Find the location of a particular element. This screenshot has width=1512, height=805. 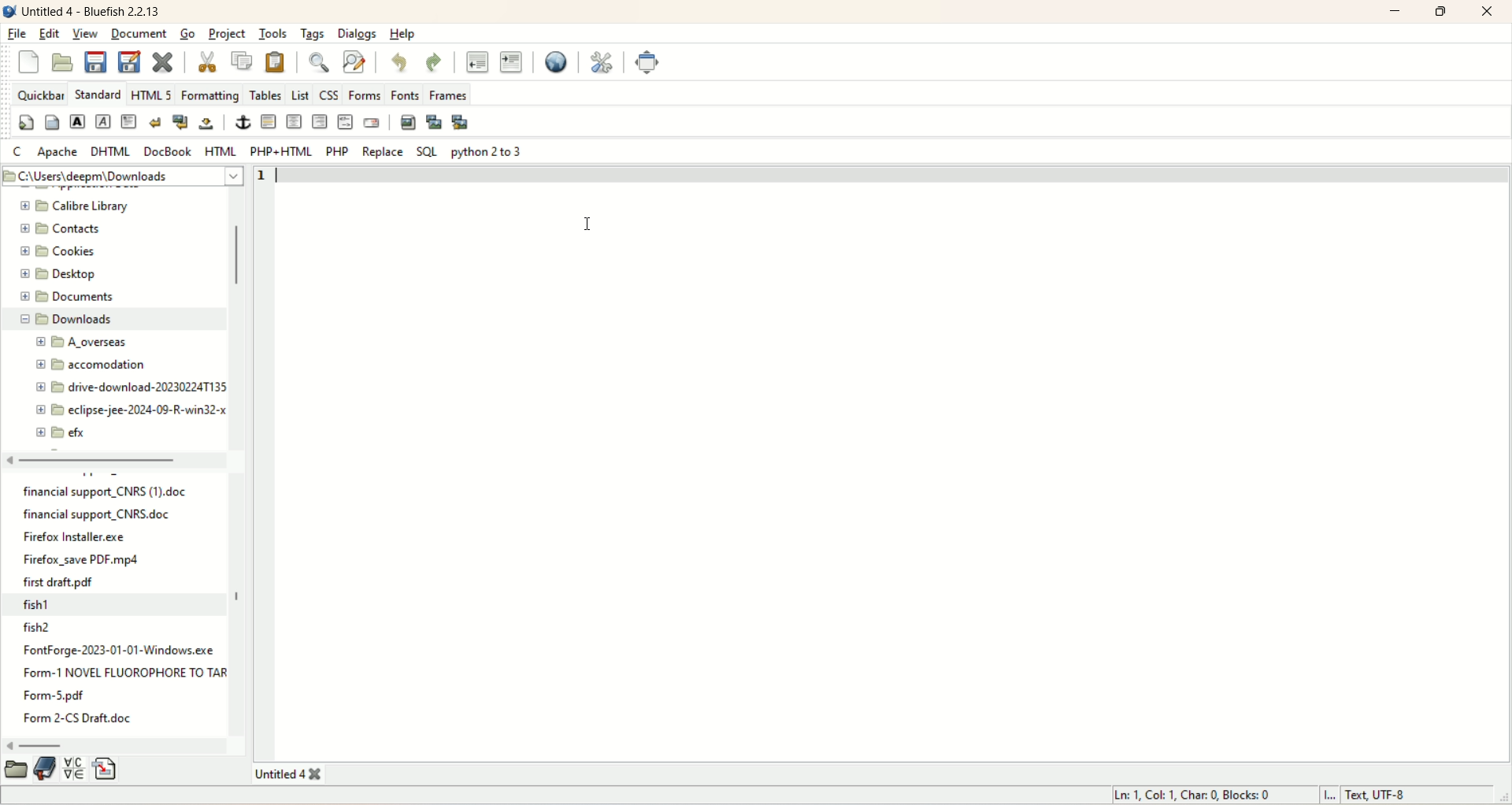

paste is located at coordinates (275, 61).